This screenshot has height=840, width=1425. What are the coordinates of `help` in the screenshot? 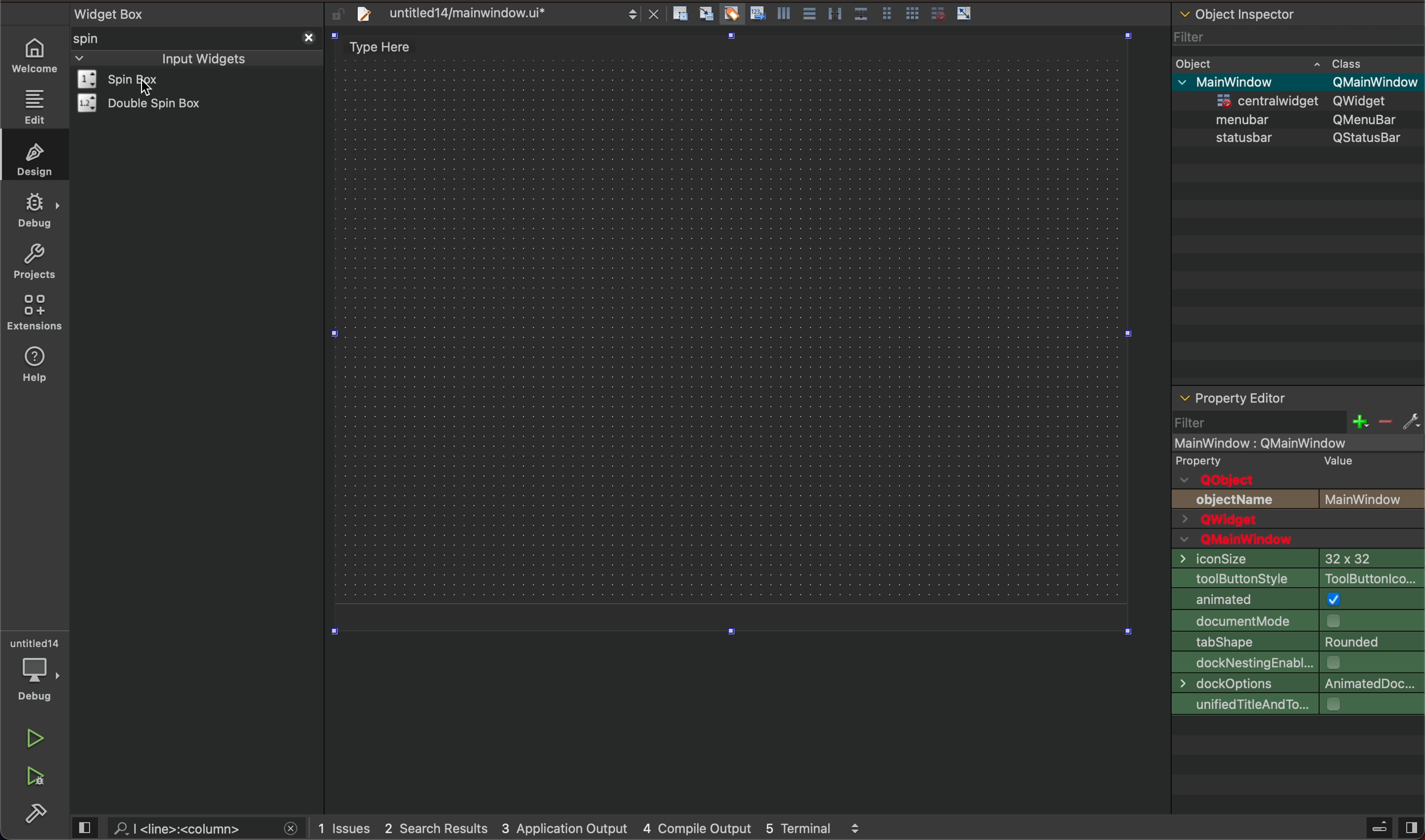 It's located at (40, 371).